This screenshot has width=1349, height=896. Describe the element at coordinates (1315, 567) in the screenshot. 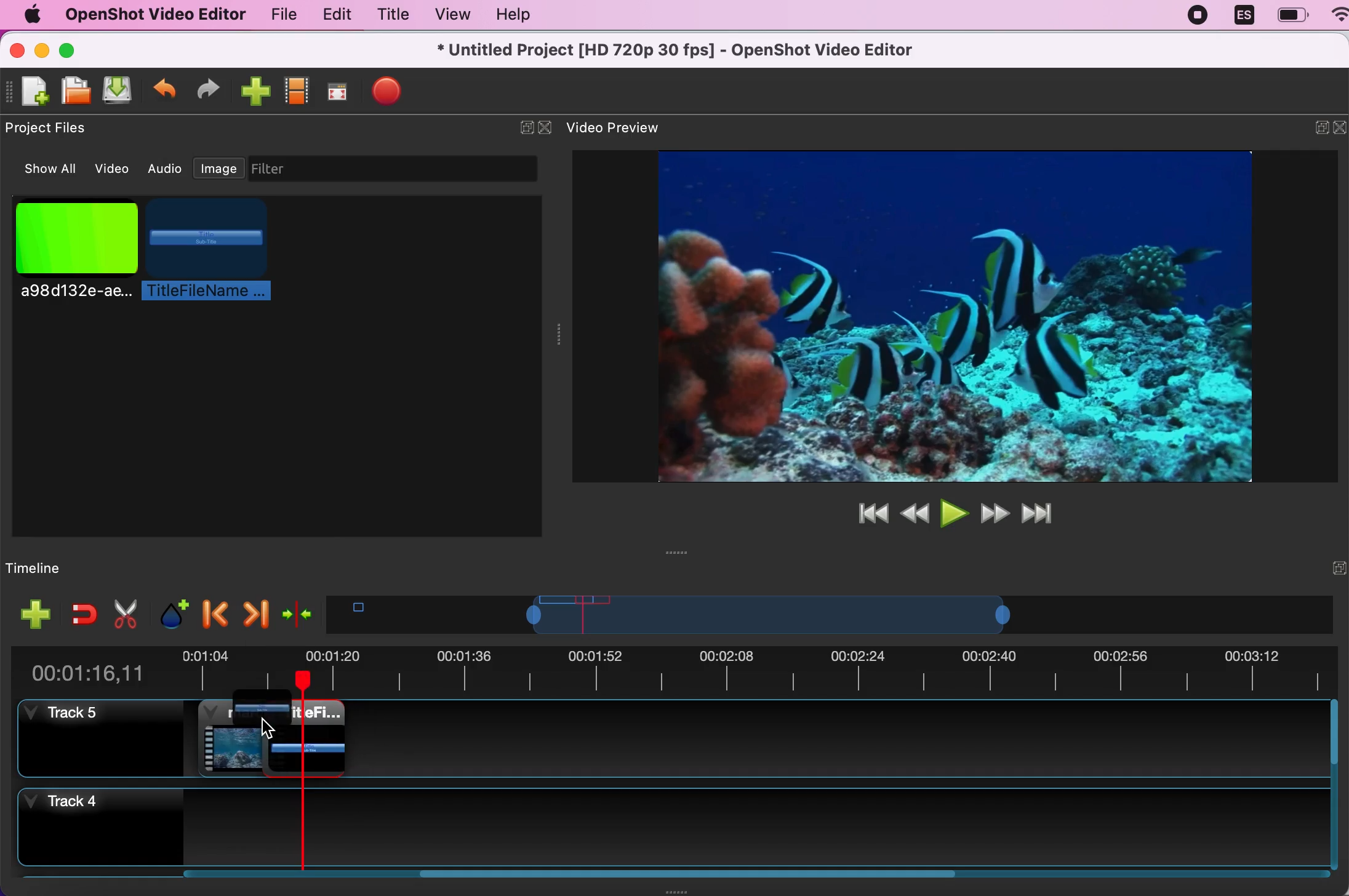

I see `hide/expand` at that location.